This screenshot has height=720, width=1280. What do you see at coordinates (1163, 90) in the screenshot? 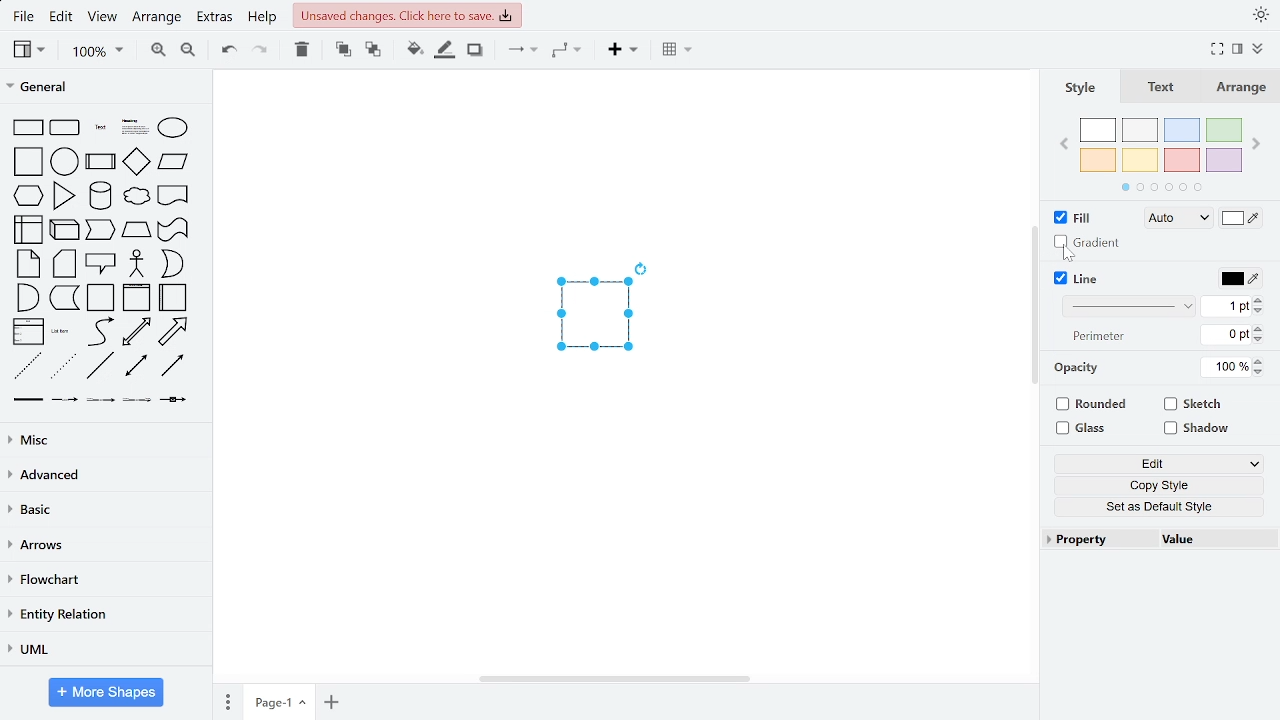
I see `text` at bounding box center [1163, 90].